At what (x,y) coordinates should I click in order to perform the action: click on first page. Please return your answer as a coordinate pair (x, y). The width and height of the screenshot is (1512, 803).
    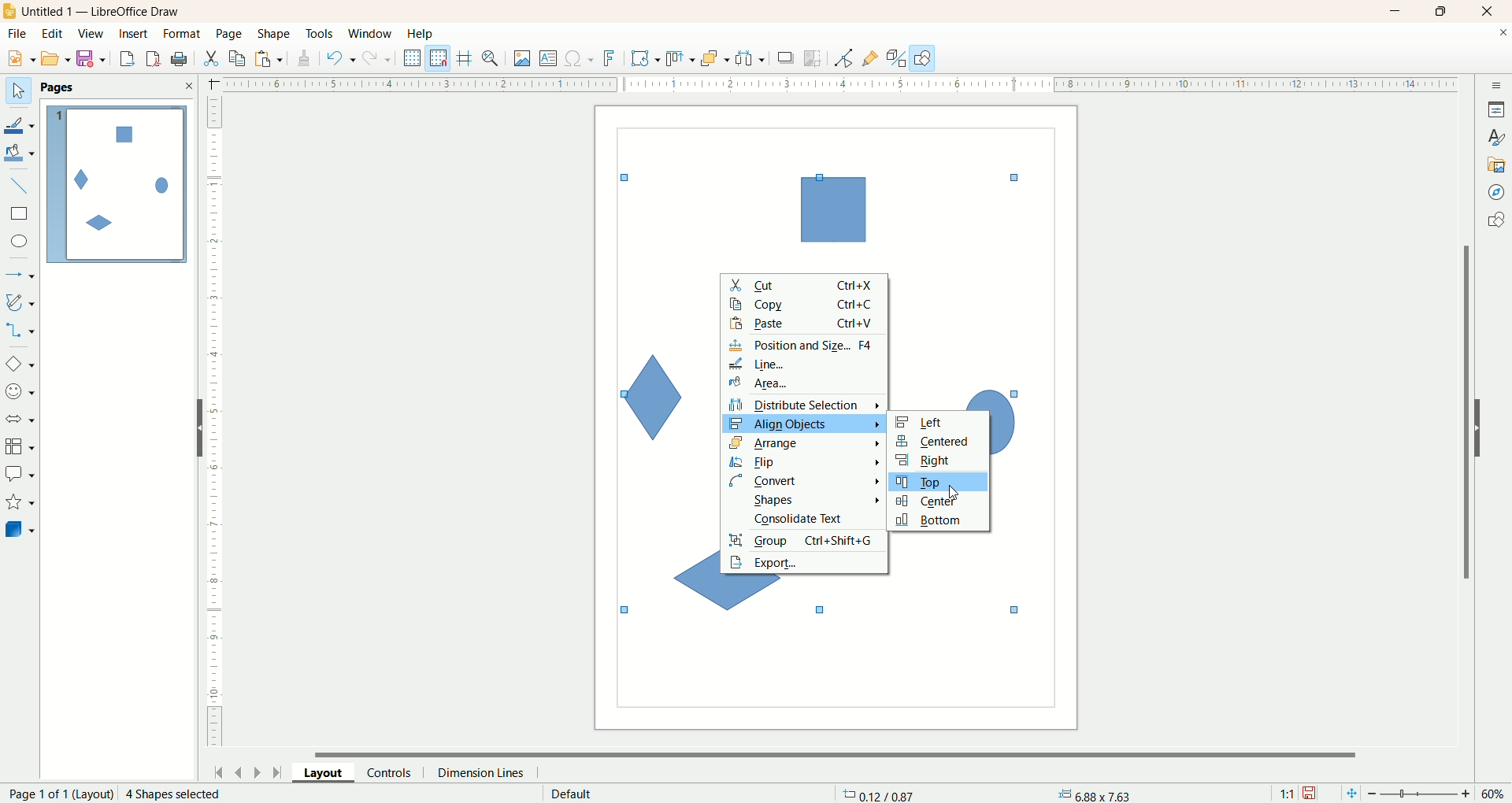
    Looking at the image, I should click on (216, 770).